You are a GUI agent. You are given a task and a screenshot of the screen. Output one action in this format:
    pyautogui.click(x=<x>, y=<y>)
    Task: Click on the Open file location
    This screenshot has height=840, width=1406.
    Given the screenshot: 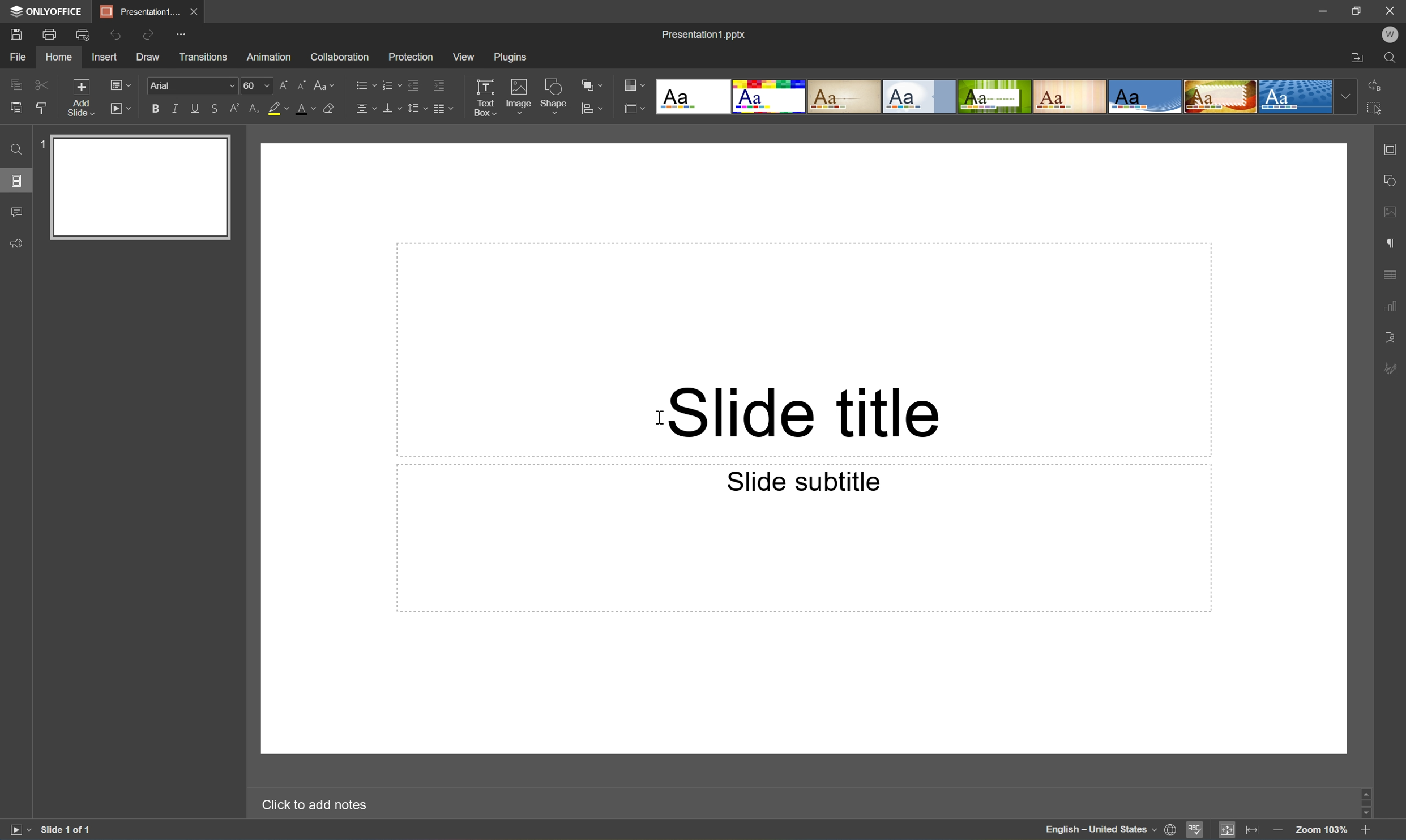 What is the action you would take?
    pyautogui.click(x=1358, y=57)
    